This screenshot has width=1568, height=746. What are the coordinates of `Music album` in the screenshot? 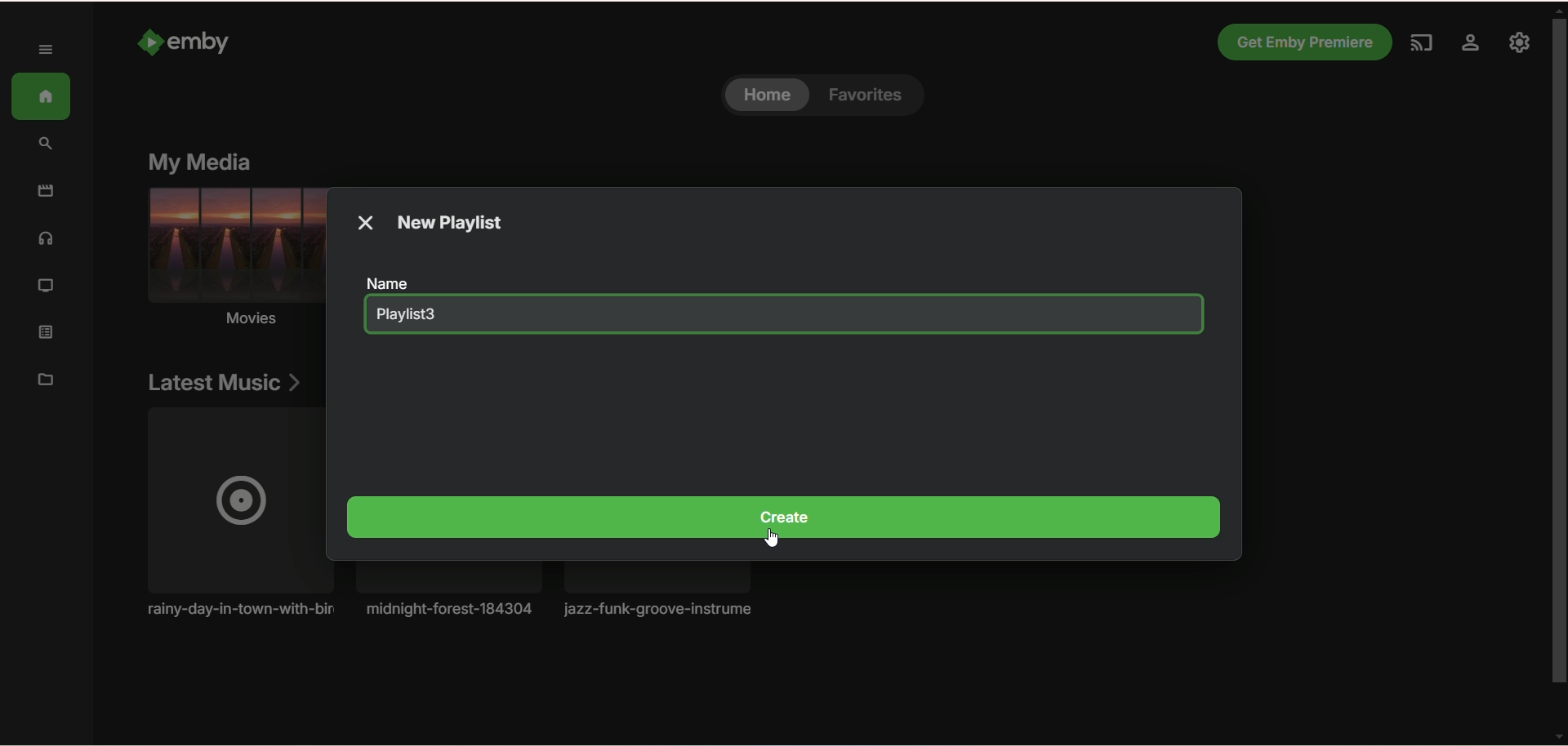 It's located at (449, 592).